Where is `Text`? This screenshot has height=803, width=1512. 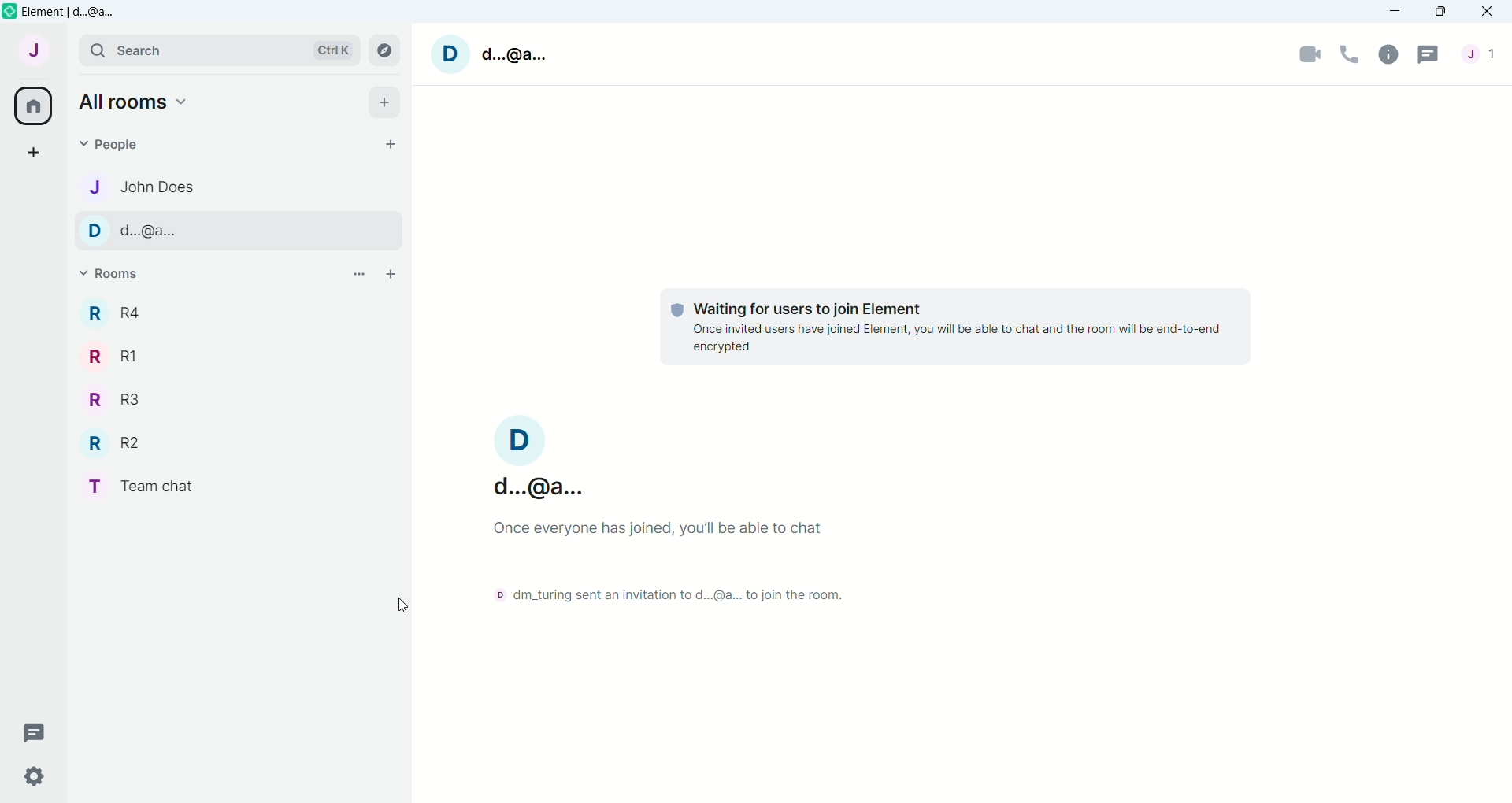
Text is located at coordinates (658, 590).